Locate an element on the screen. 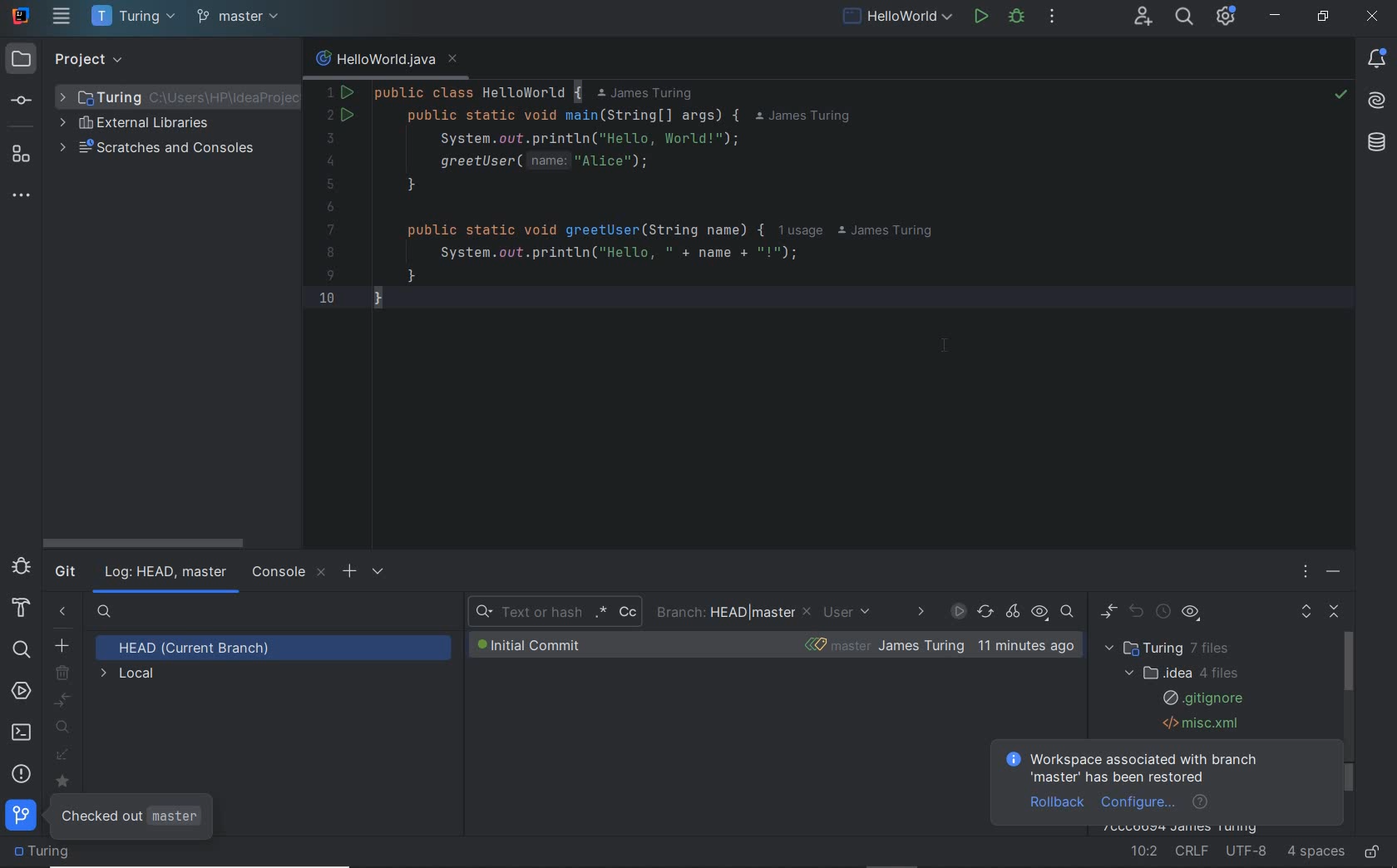 The height and width of the screenshot is (868, 1397). 7 is located at coordinates (331, 229).